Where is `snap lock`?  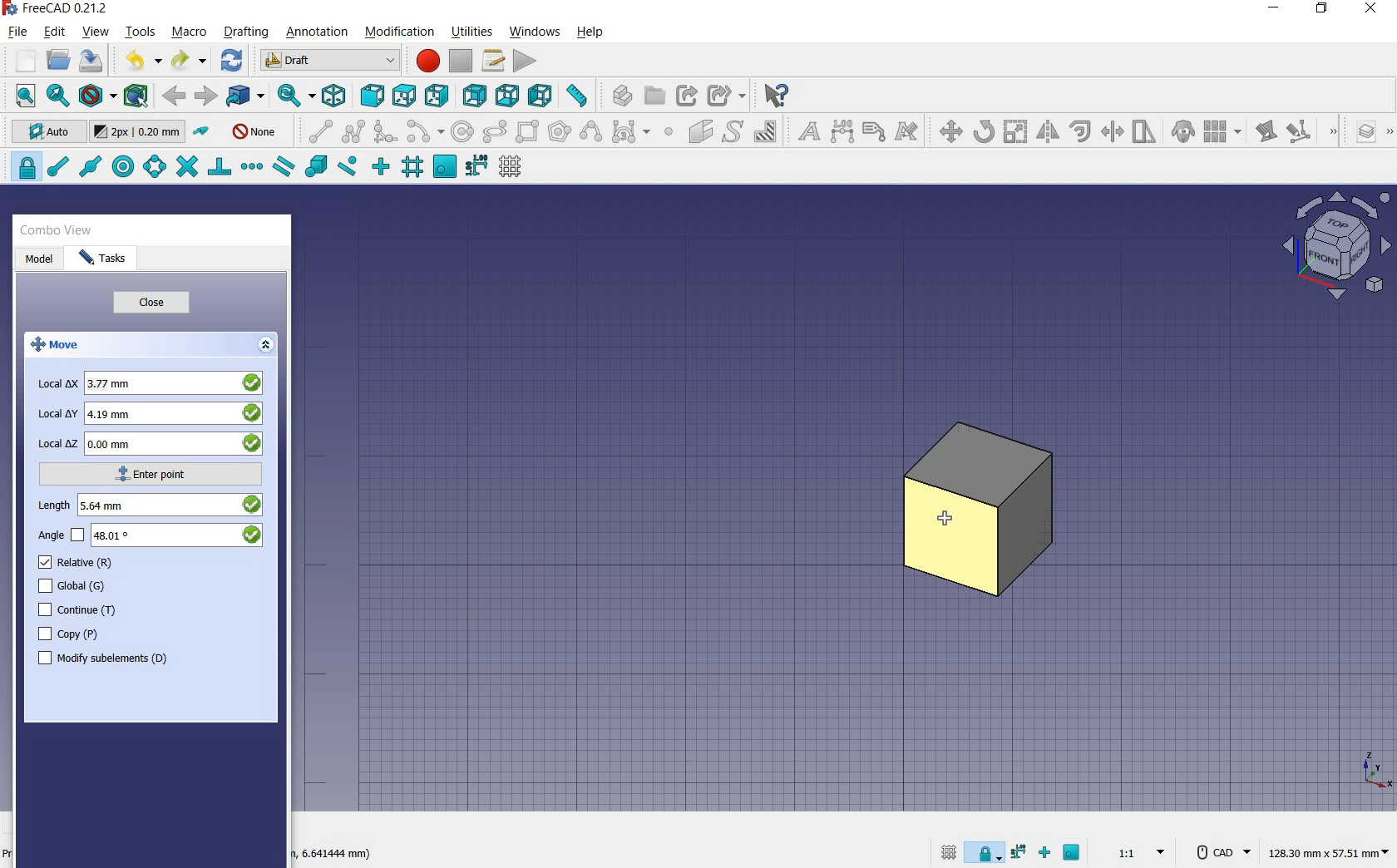
snap lock is located at coordinates (983, 855).